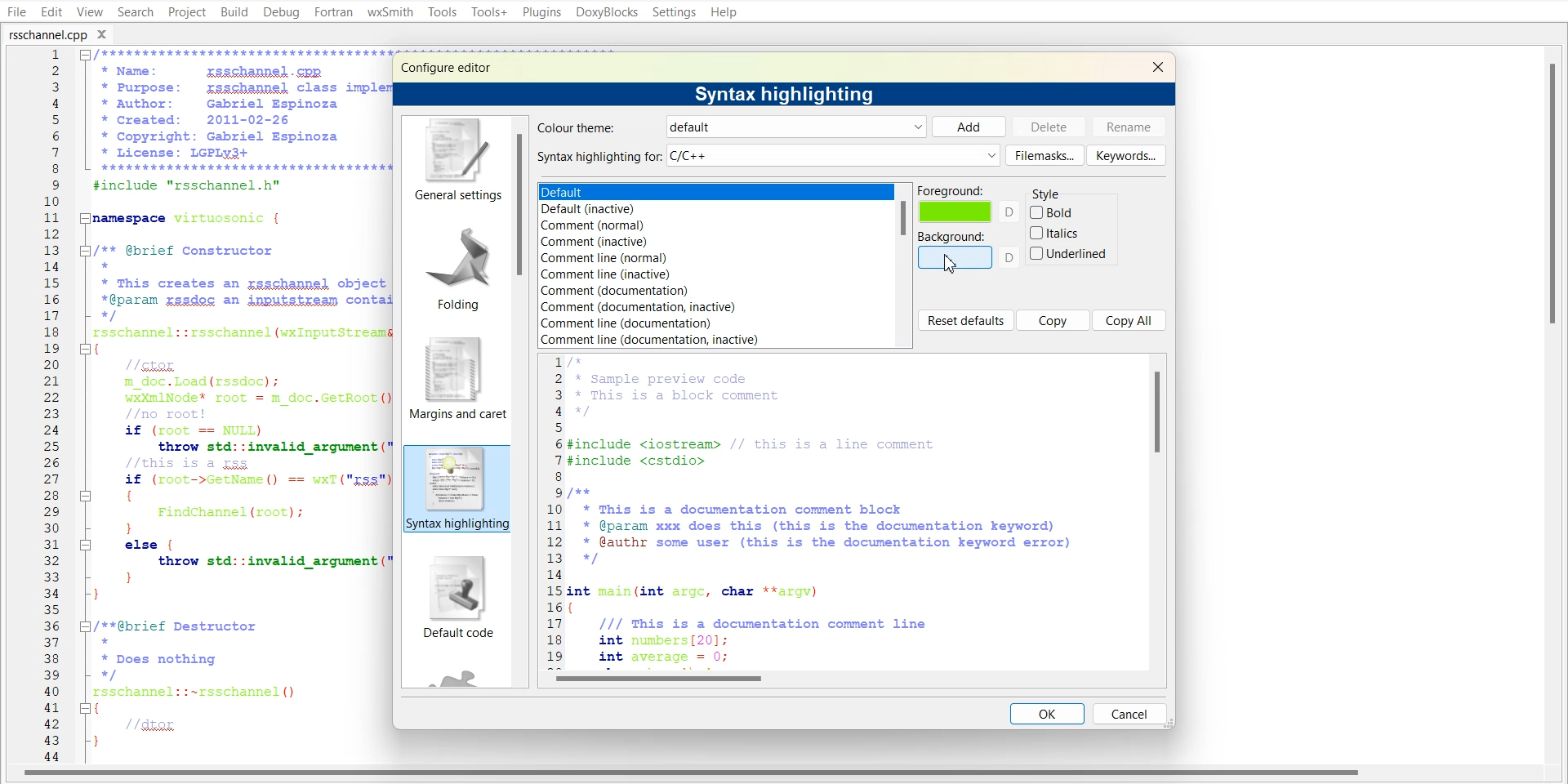 The width and height of the screenshot is (1568, 784). Describe the element at coordinates (89, 11) in the screenshot. I see `View` at that location.